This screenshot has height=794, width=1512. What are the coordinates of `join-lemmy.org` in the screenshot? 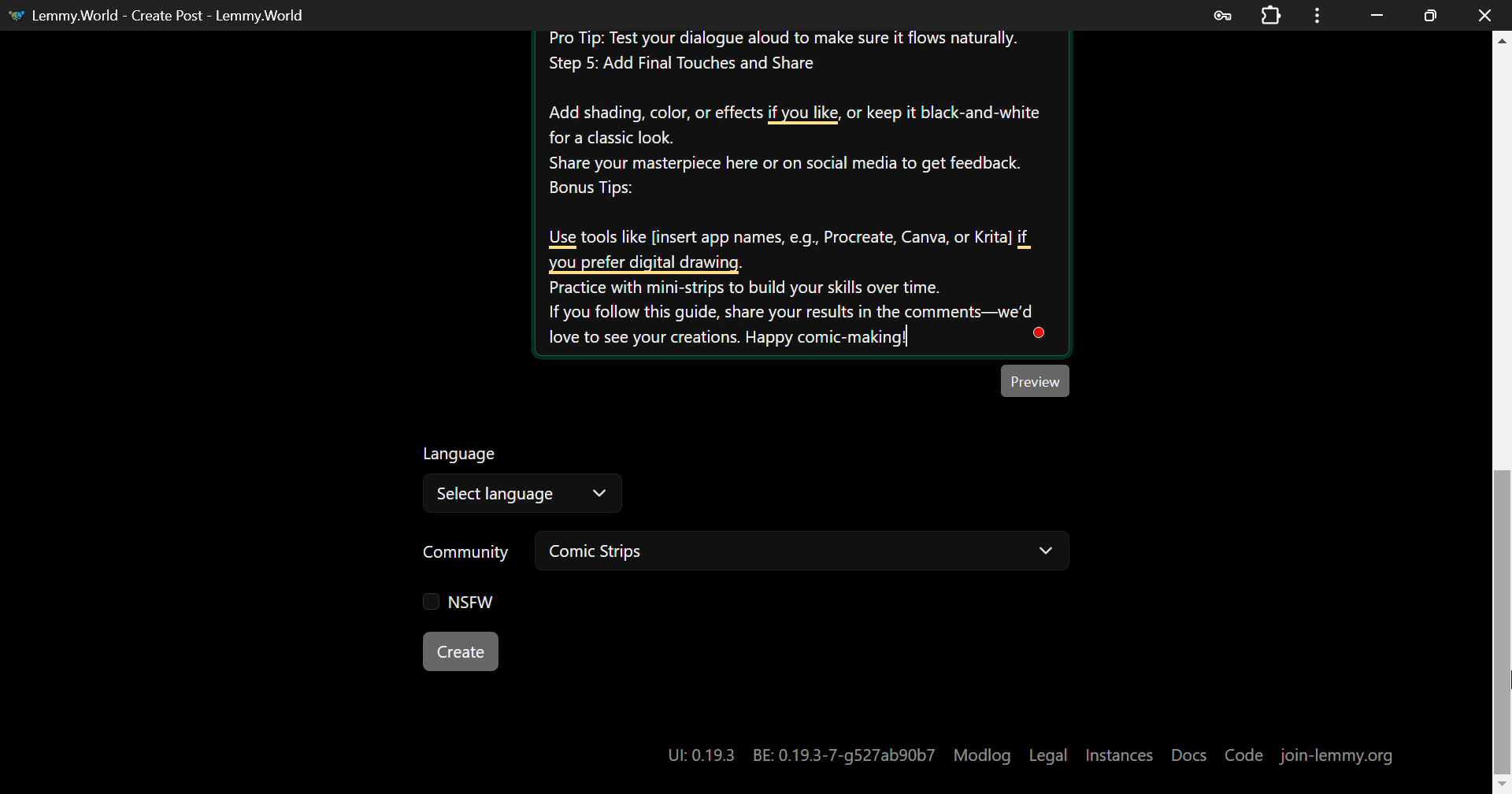 It's located at (1338, 755).